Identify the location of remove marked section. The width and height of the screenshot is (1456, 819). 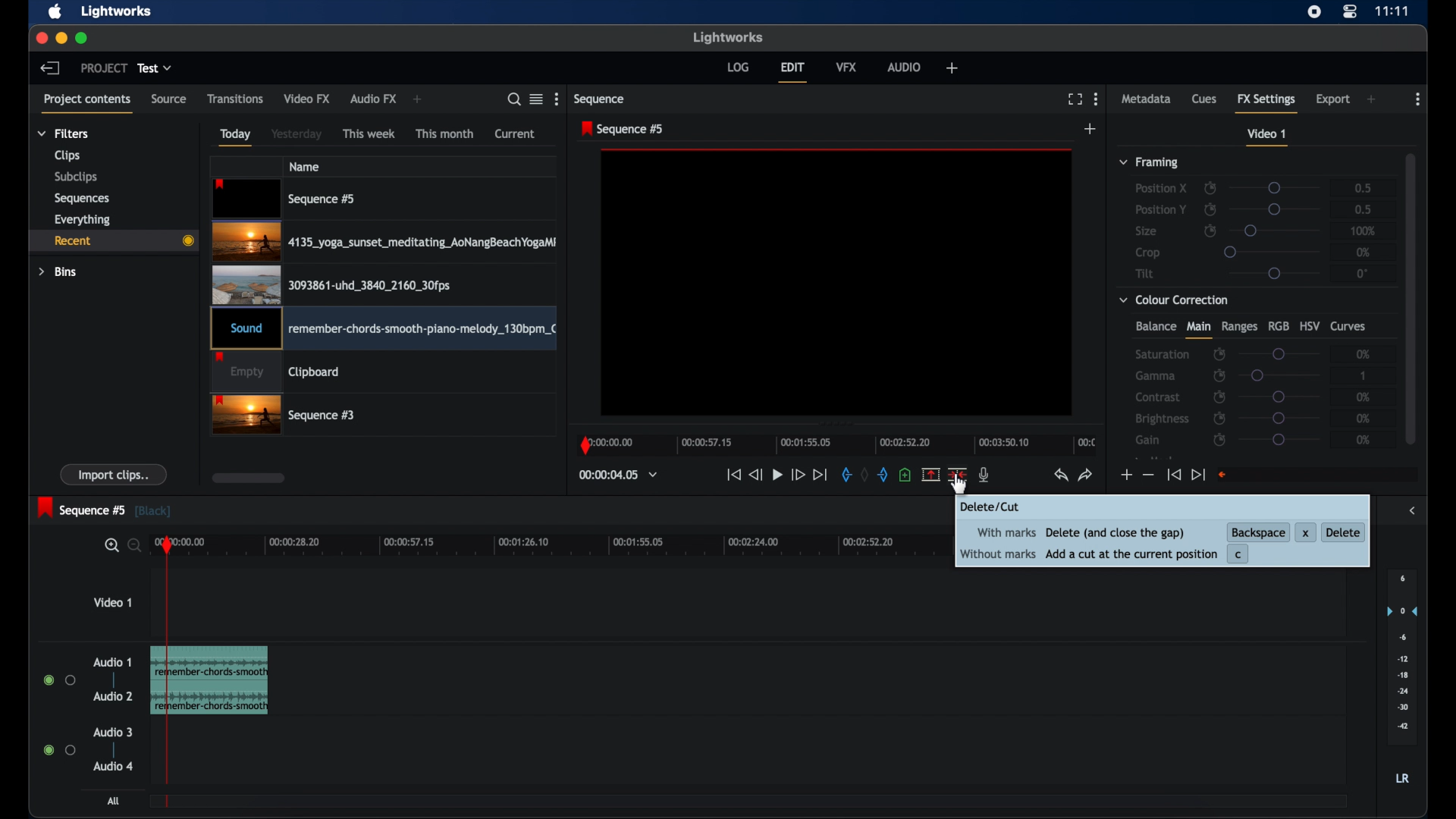
(931, 473).